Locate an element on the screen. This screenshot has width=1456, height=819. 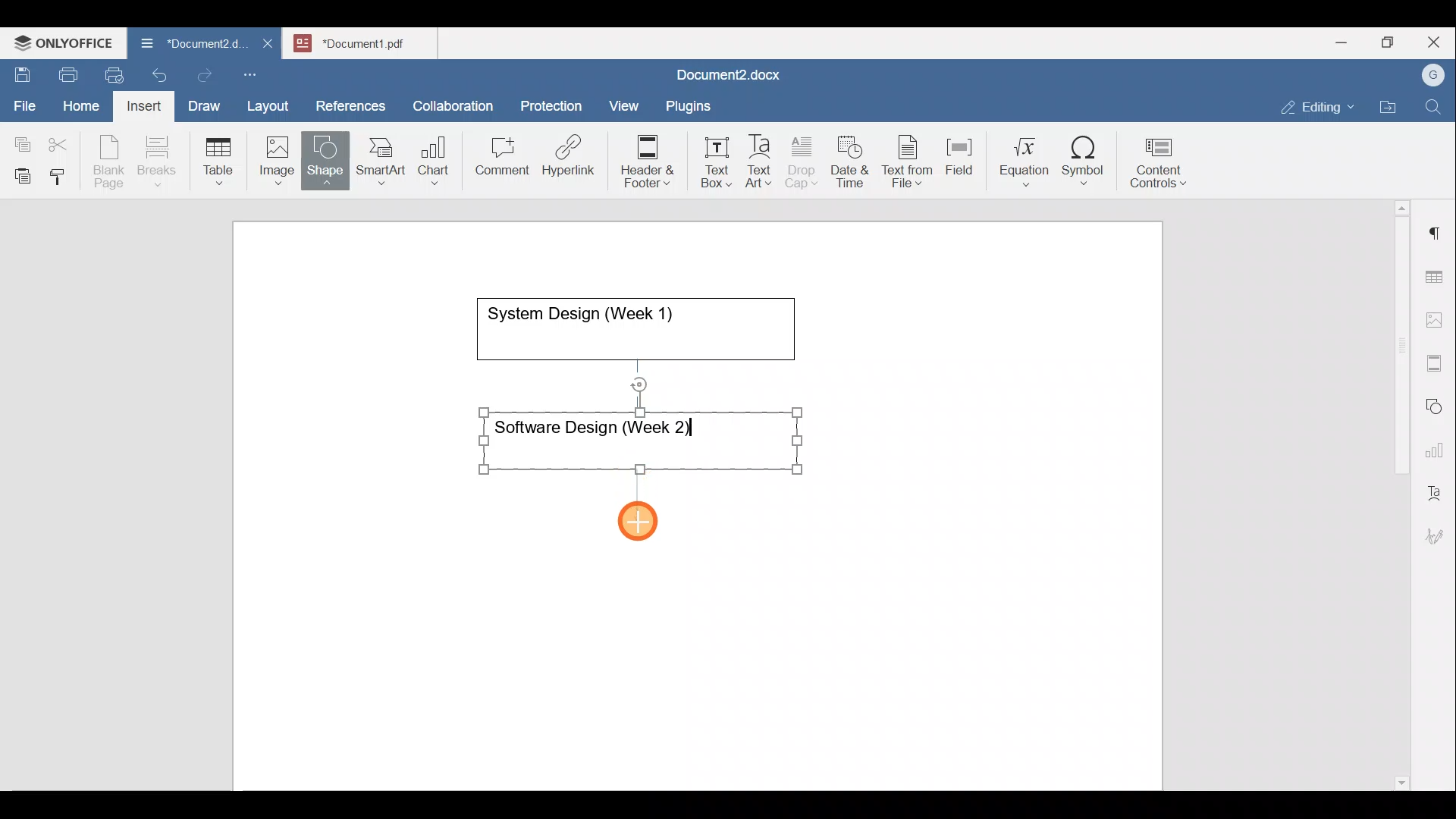
Draw is located at coordinates (202, 102).